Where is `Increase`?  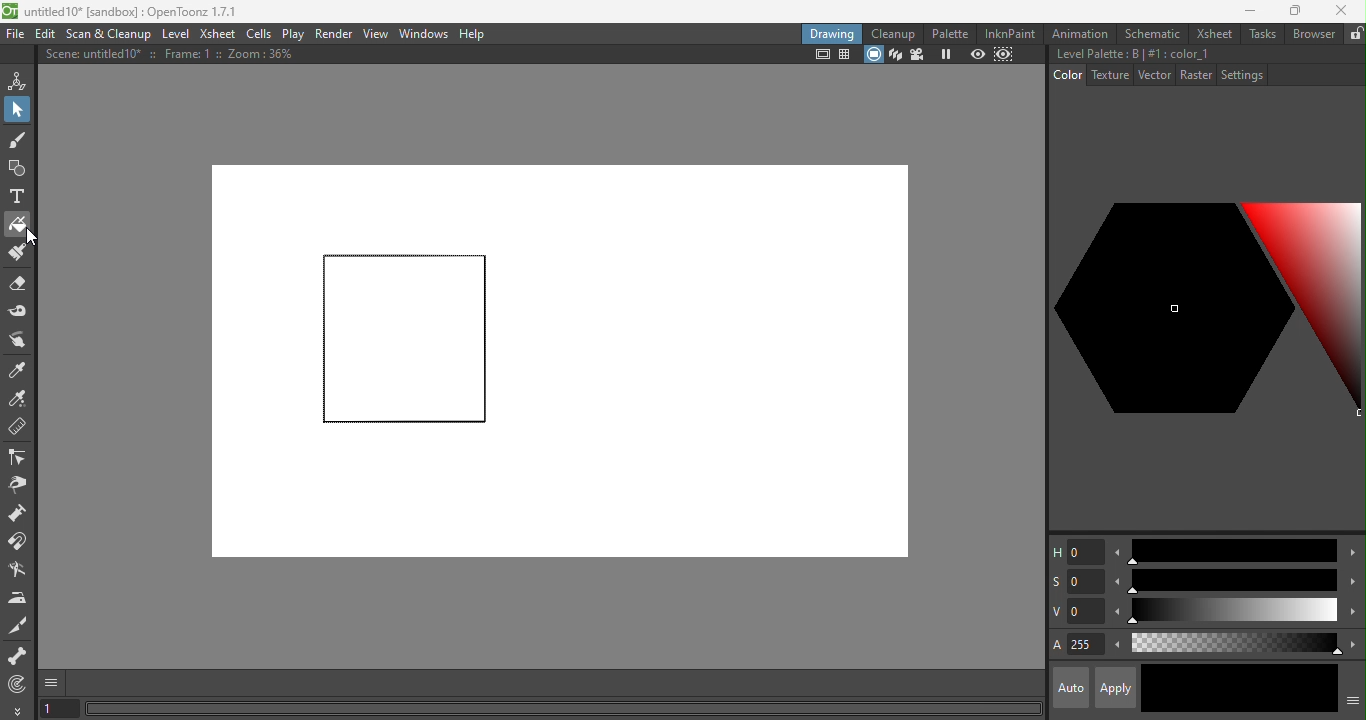
Increase is located at coordinates (1353, 613).